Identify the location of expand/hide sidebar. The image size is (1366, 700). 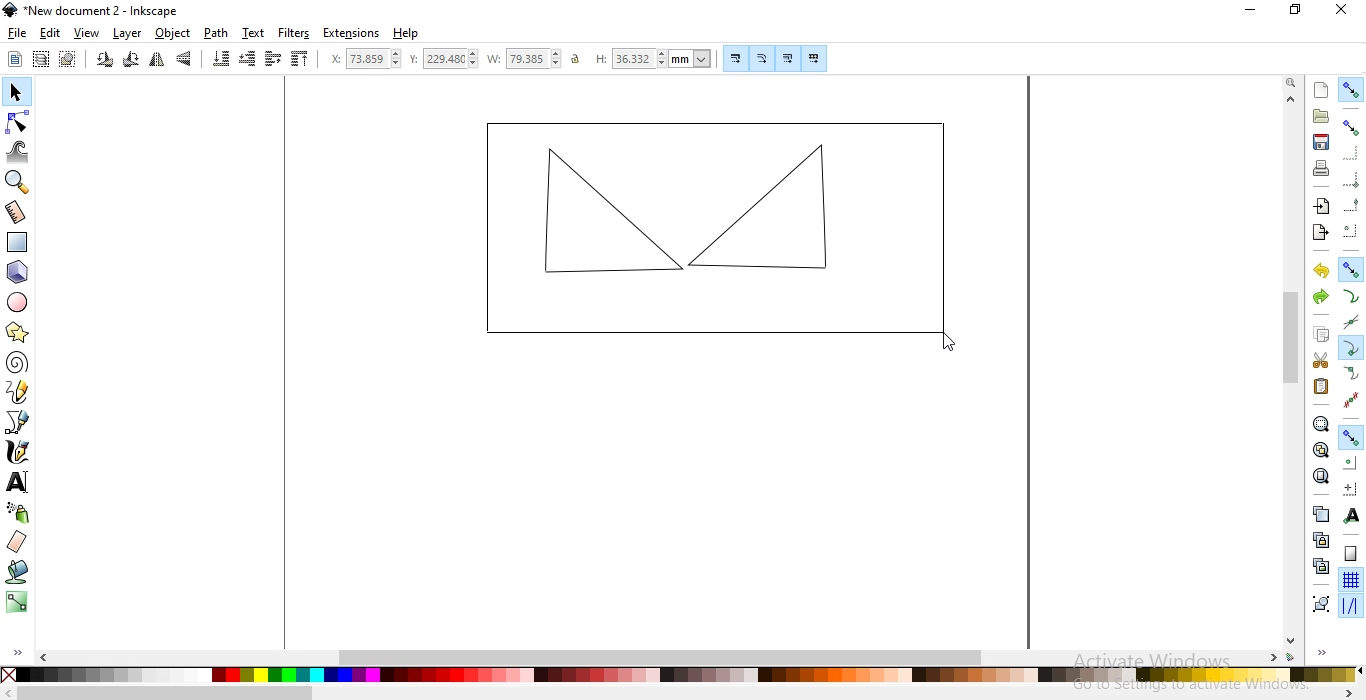
(15, 654).